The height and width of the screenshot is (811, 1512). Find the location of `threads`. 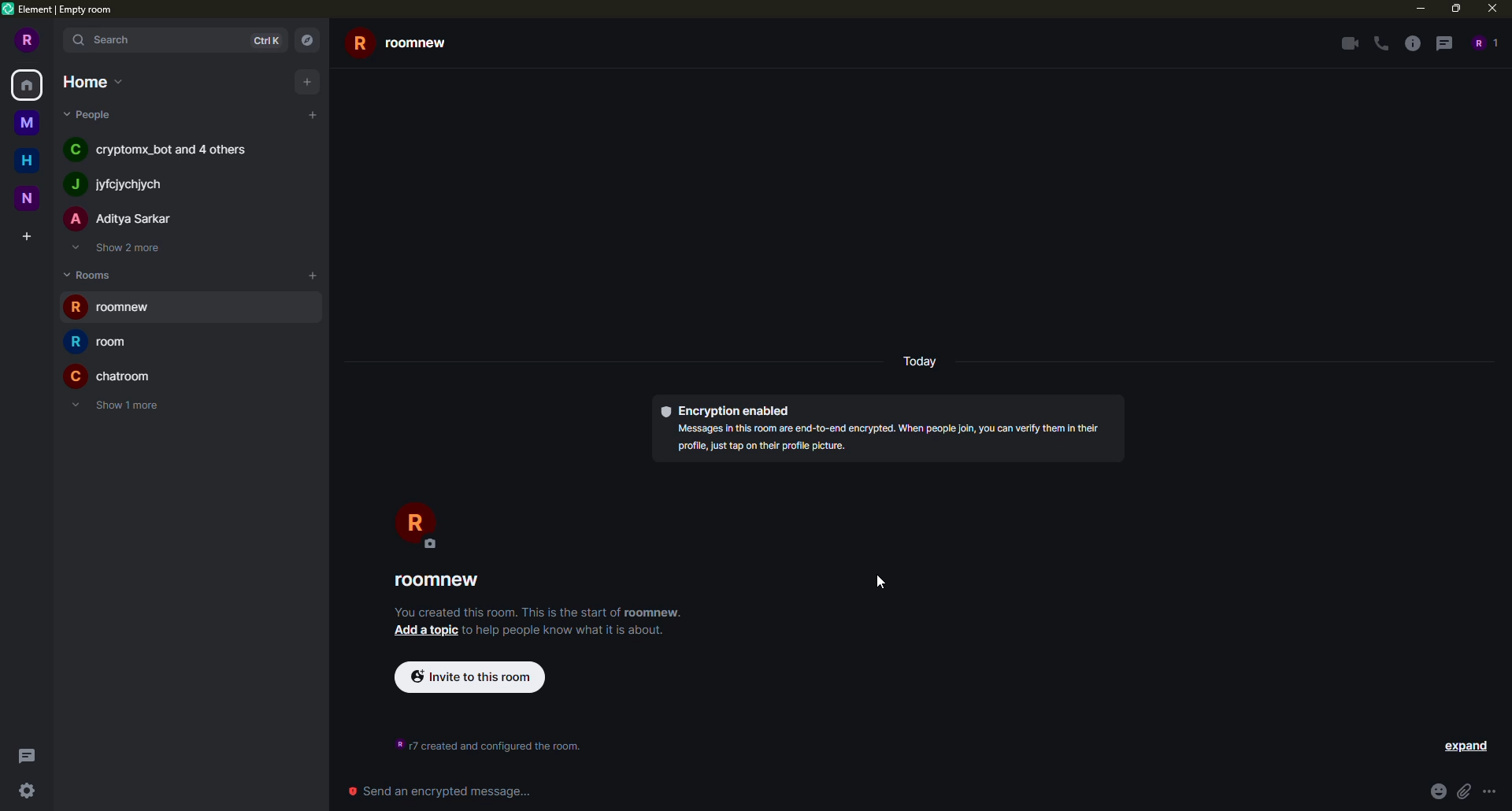

threads is located at coordinates (1443, 43).